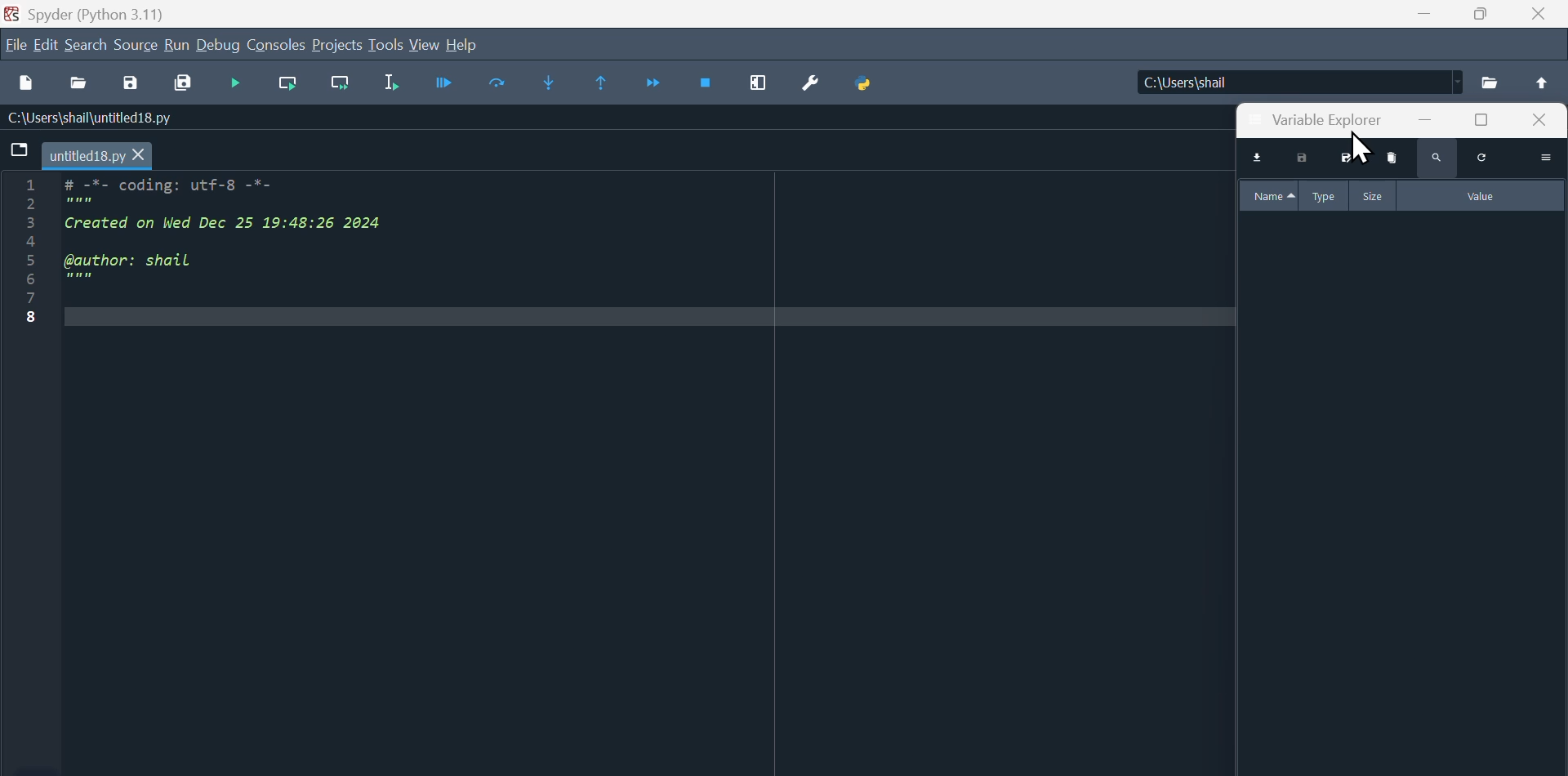  I want to click on Save, so click(135, 86).